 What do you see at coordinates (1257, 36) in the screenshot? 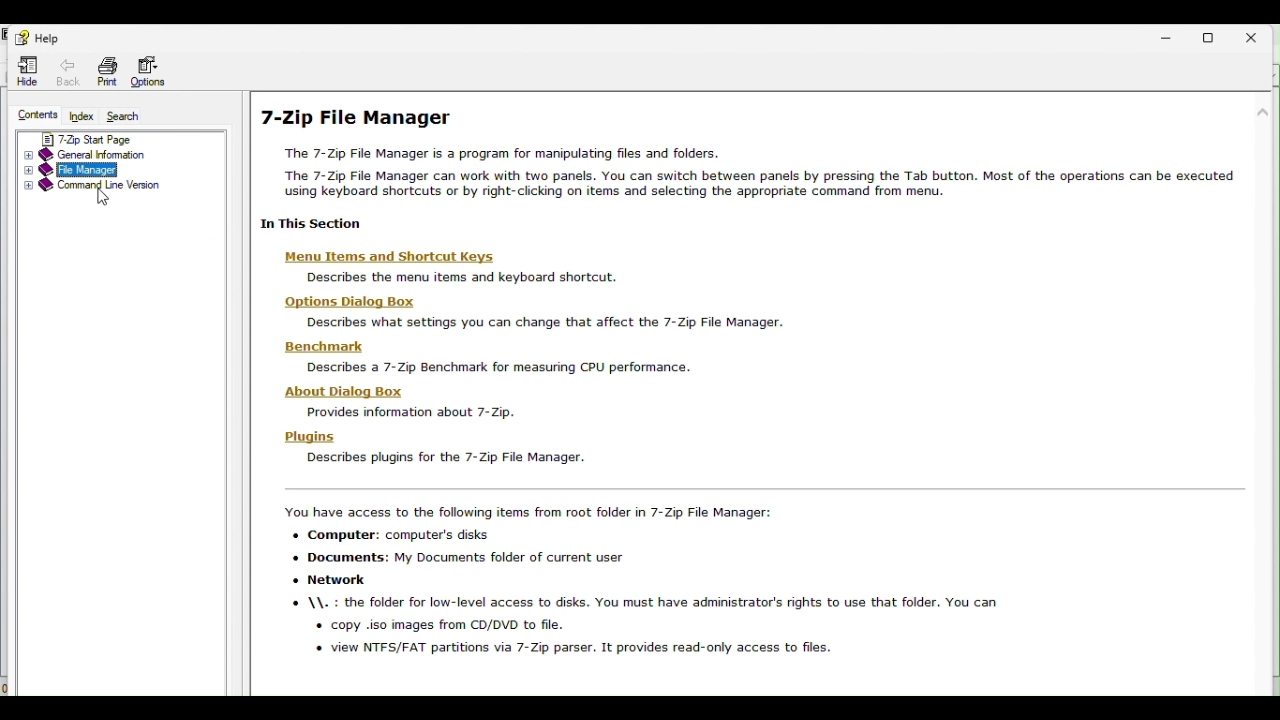
I see `close` at bounding box center [1257, 36].